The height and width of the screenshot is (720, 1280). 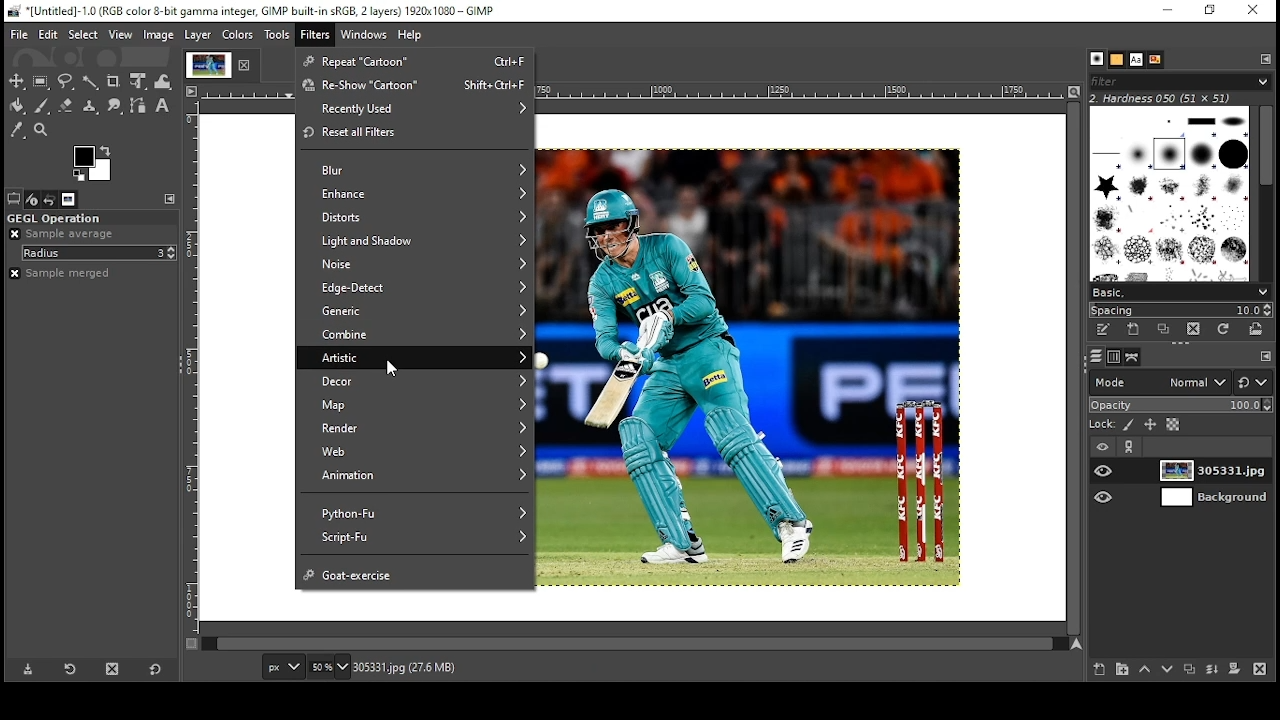 I want to click on colors, so click(x=240, y=35).